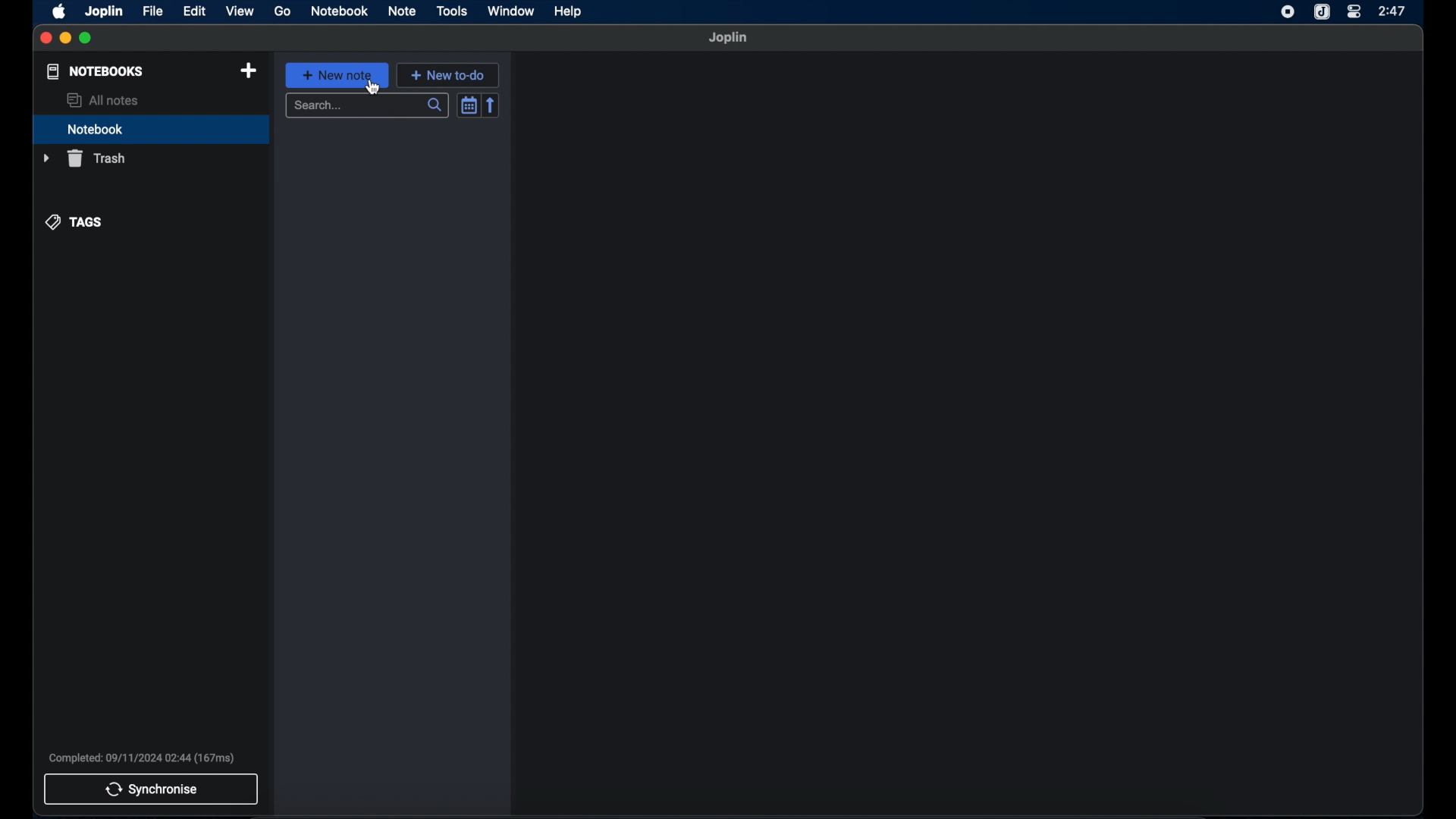 This screenshot has height=819, width=1456. I want to click on reverse  sort order, so click(492, 105).